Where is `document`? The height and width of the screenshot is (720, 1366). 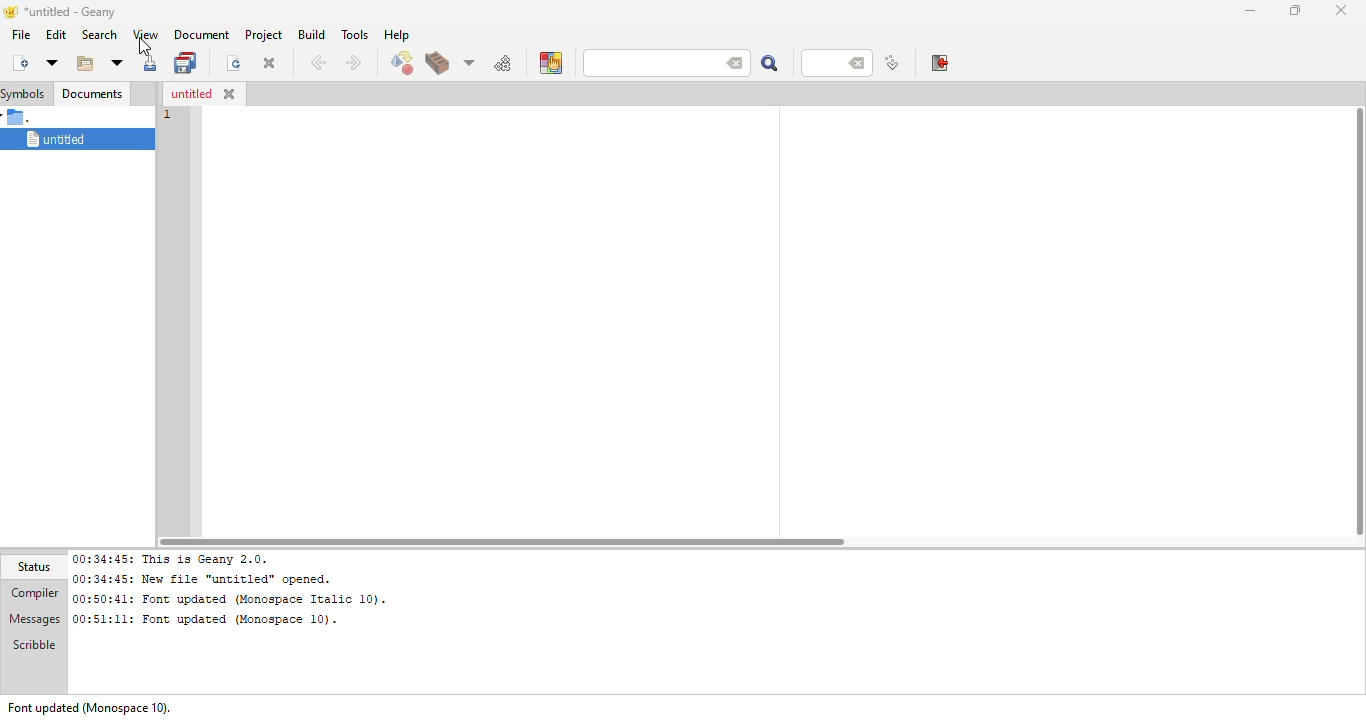
document is located at coordinates (199, 35).